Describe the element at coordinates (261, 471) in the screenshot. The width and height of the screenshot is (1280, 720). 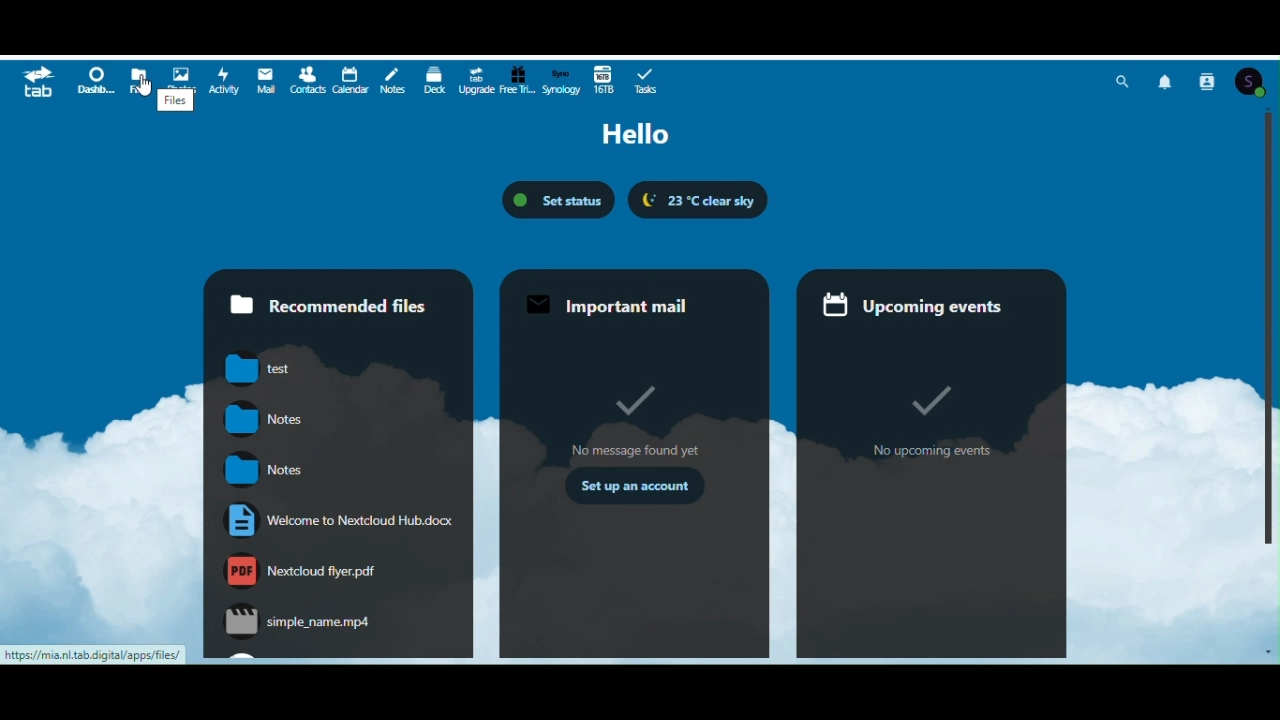
I see `notes` at that location.